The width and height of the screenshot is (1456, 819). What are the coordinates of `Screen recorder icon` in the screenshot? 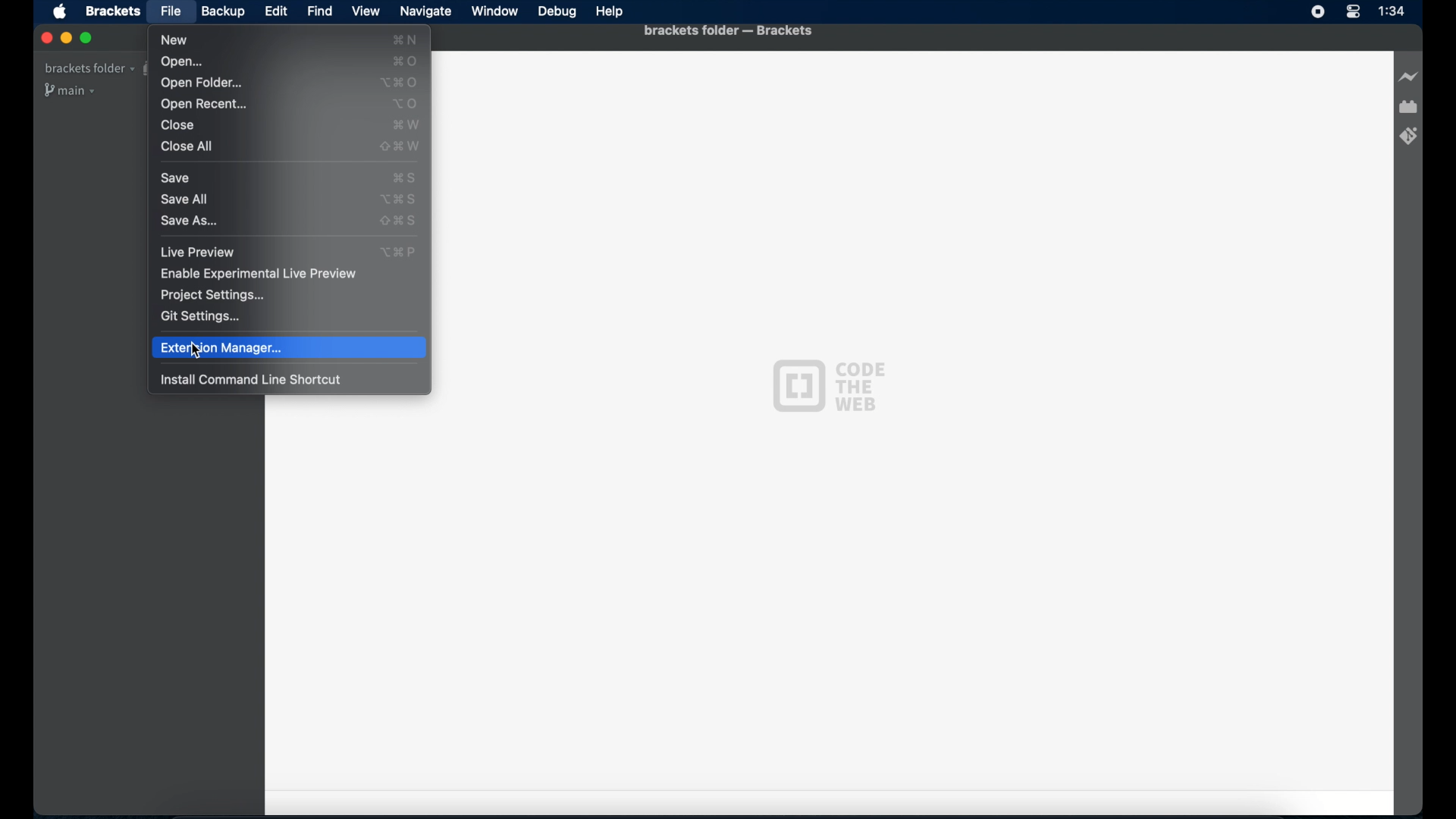 It's located at (1319, 11).